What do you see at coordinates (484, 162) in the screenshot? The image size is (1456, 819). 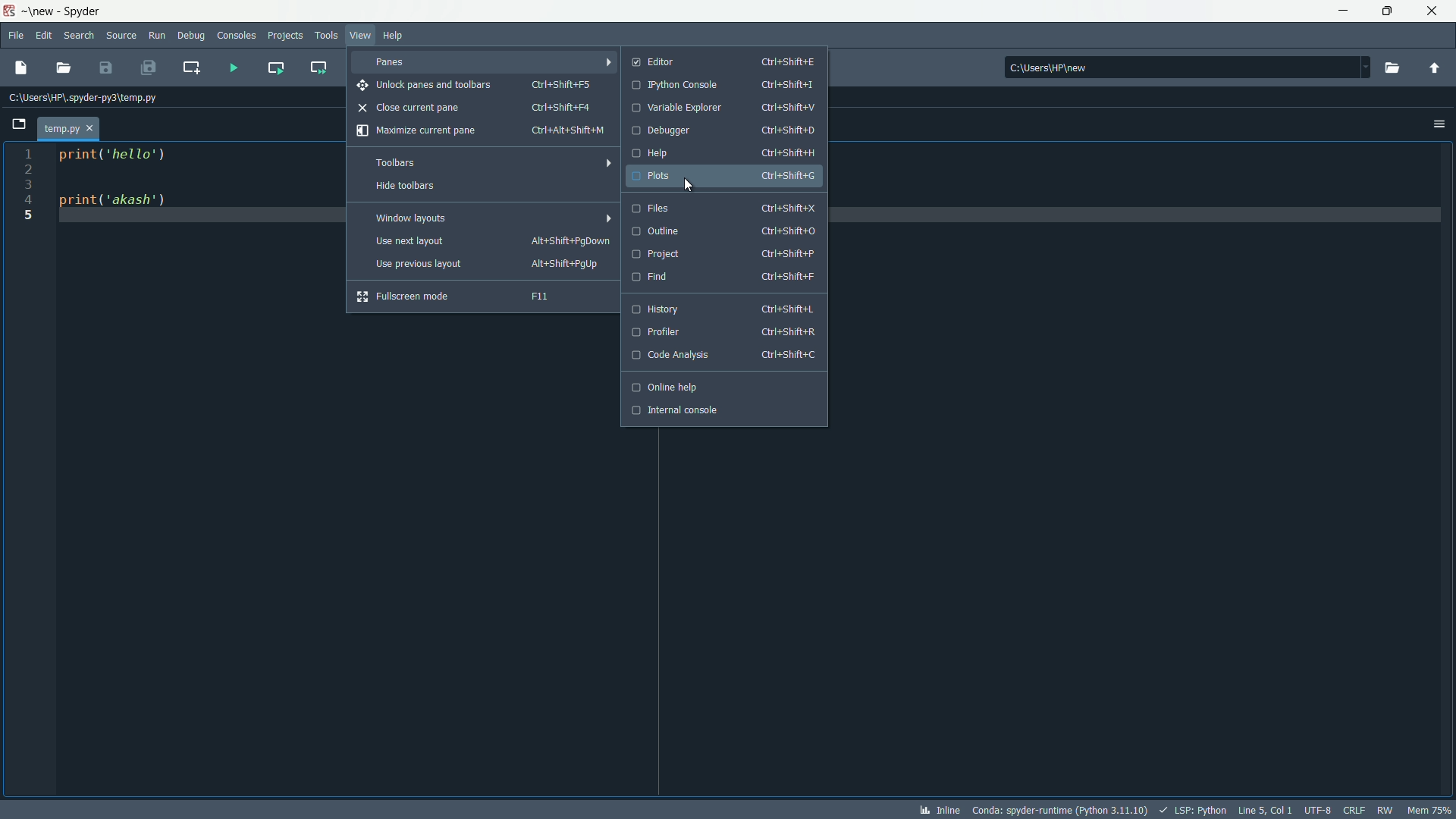 I see `toolbars` at bounding box center [484, 162].